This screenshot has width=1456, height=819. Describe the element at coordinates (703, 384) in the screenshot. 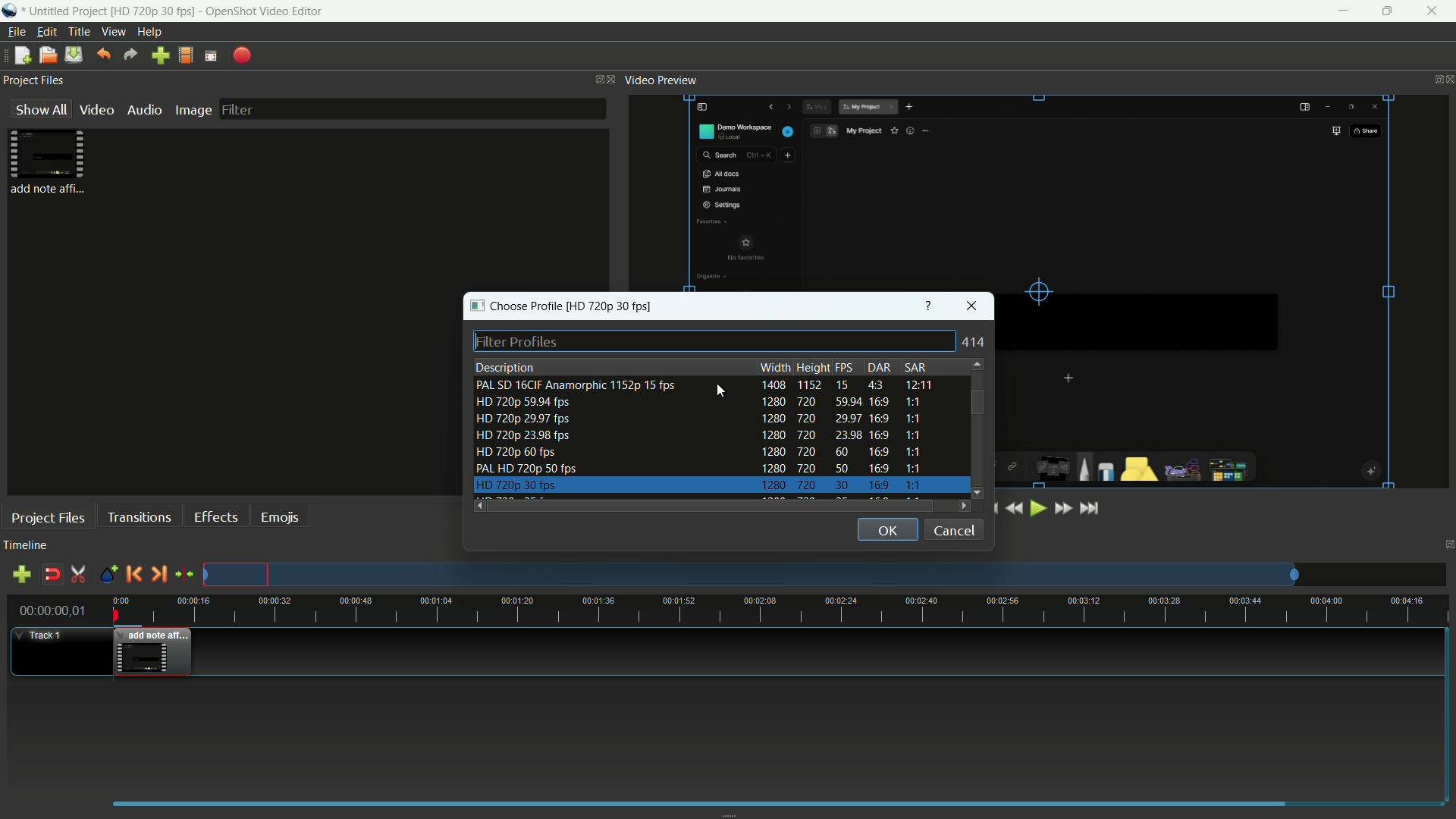

I see `profile-1` at that location.